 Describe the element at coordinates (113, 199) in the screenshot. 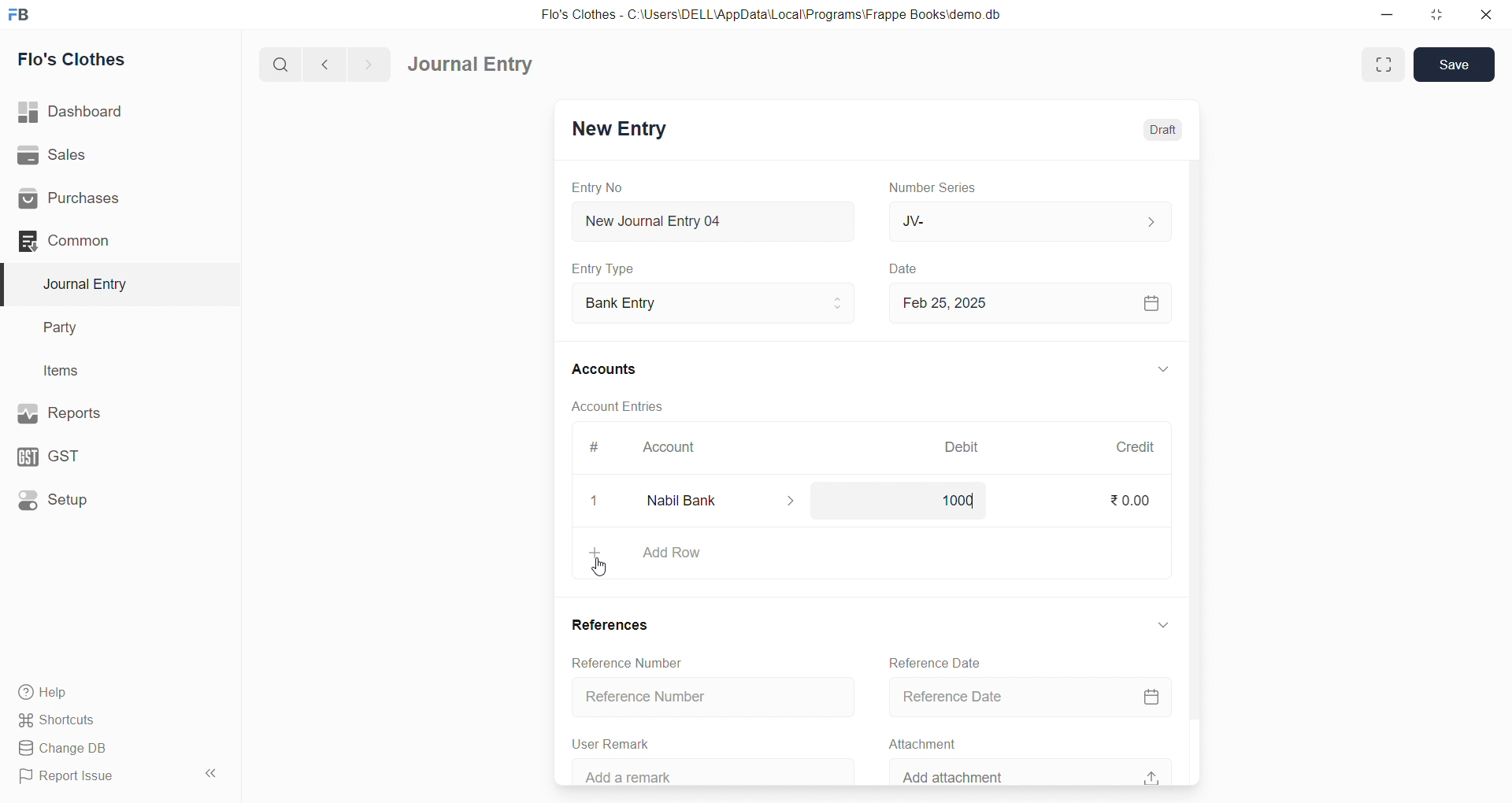

I see `Purchases` at that location.